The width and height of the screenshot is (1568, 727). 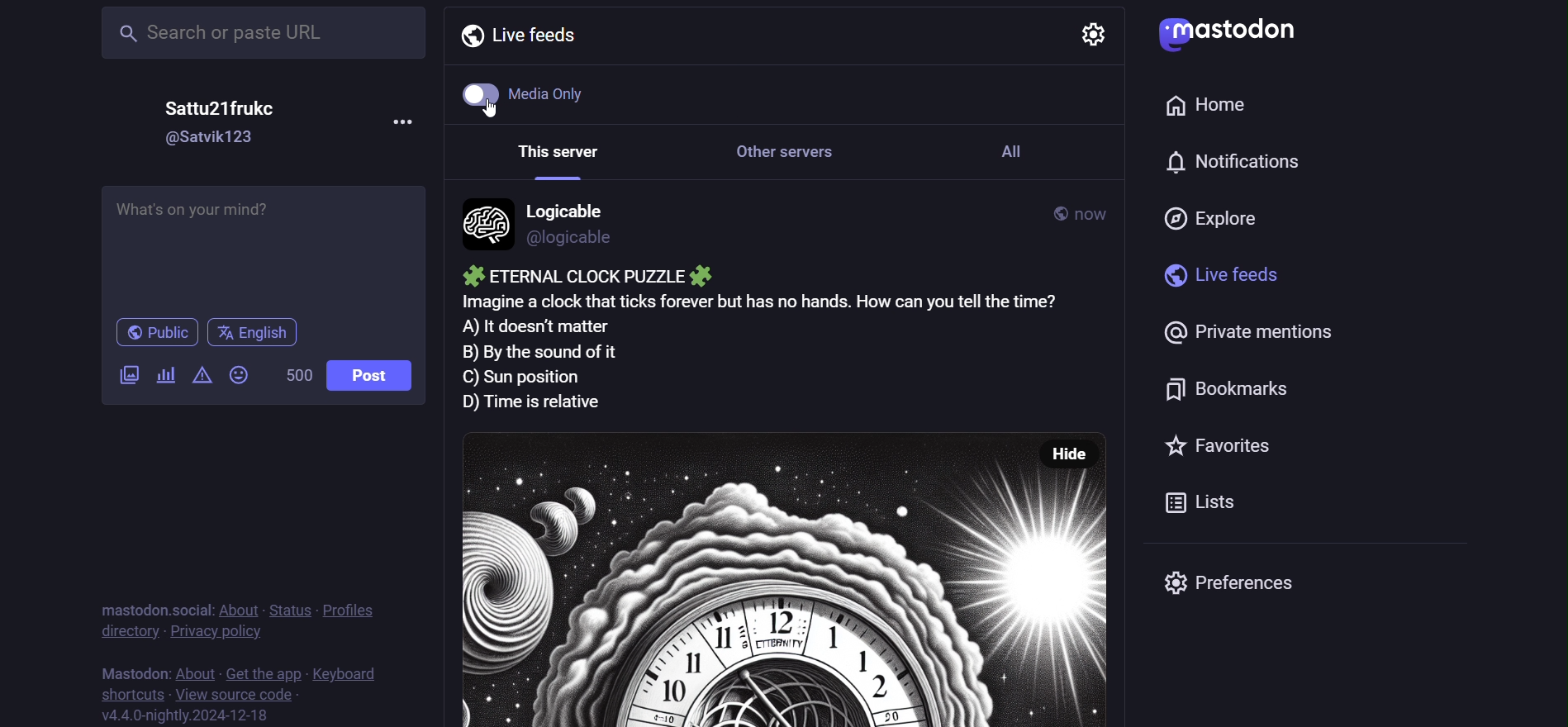 I want to click on notification, so click(x=1228, y=164).